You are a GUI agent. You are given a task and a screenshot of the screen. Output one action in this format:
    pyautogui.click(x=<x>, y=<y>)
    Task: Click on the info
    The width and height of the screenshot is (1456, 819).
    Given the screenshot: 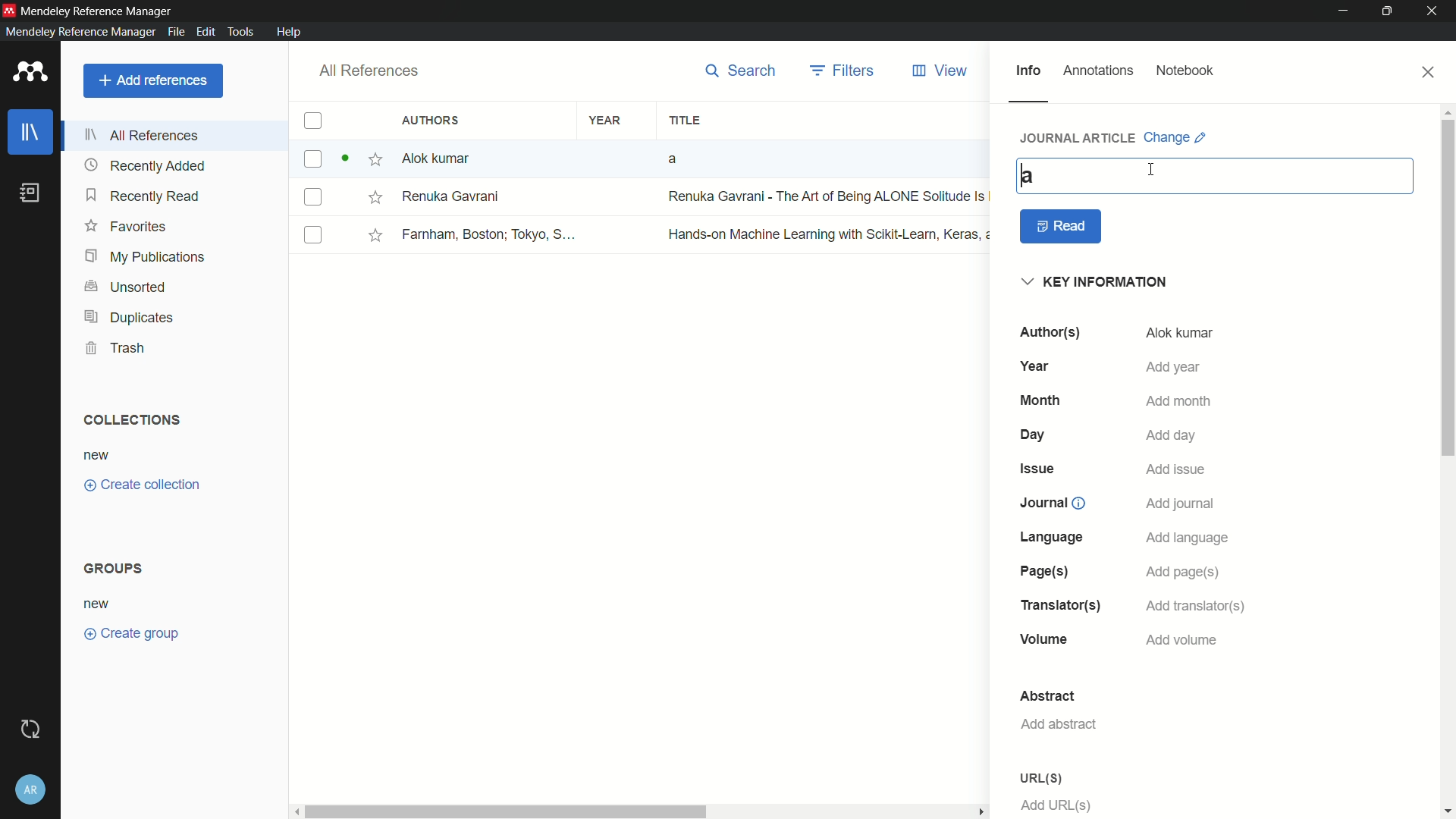 What is the action you would take?
    pyautogui.click(x=1028, y=71)
    